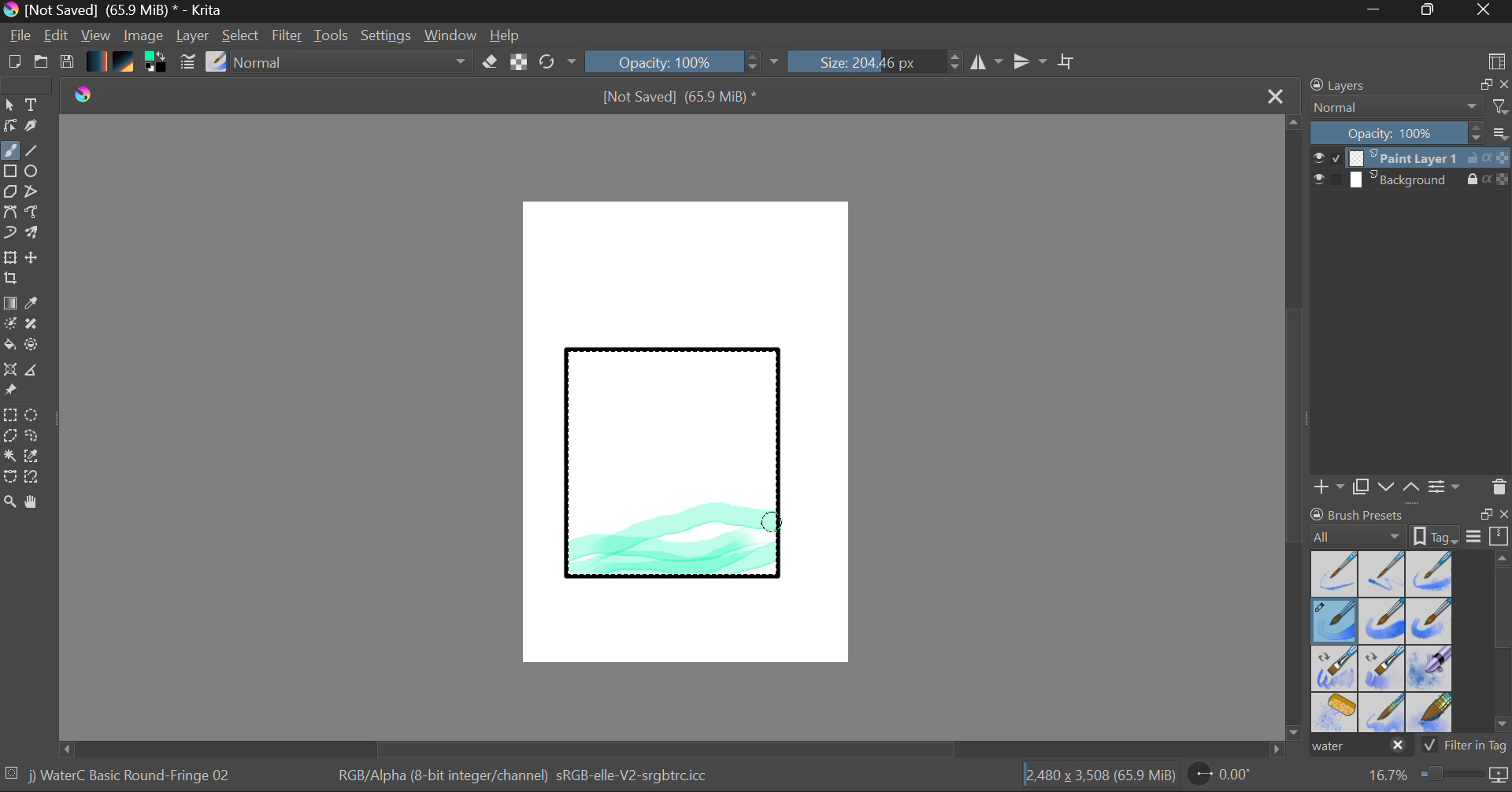  What do you see at coordinates (32, 477) in the screenshot?
I see `Magnetic Selection Tool` at bounding box center [32, 477].